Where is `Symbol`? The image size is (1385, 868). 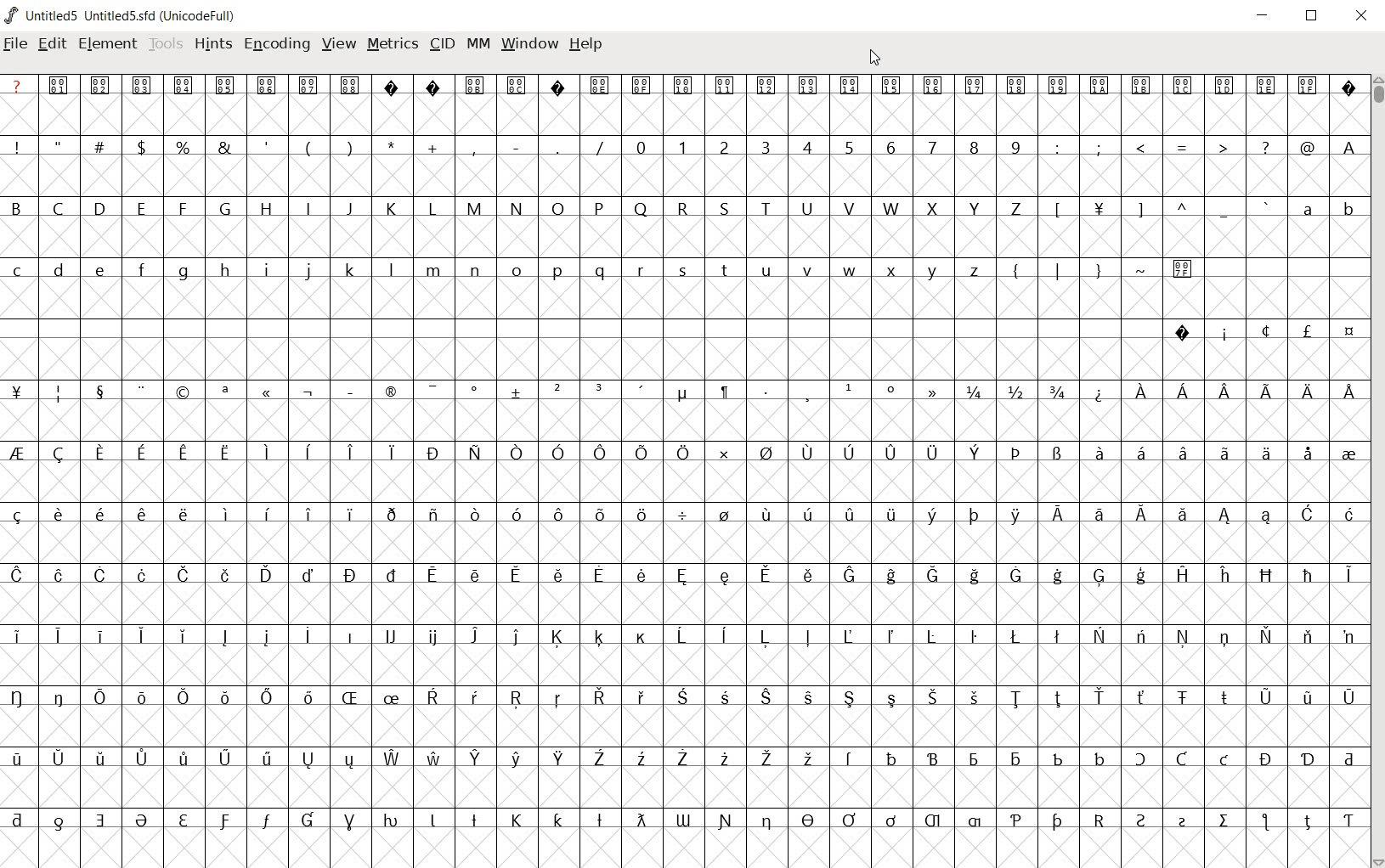 Symbol is located at coordinates (266, 449).